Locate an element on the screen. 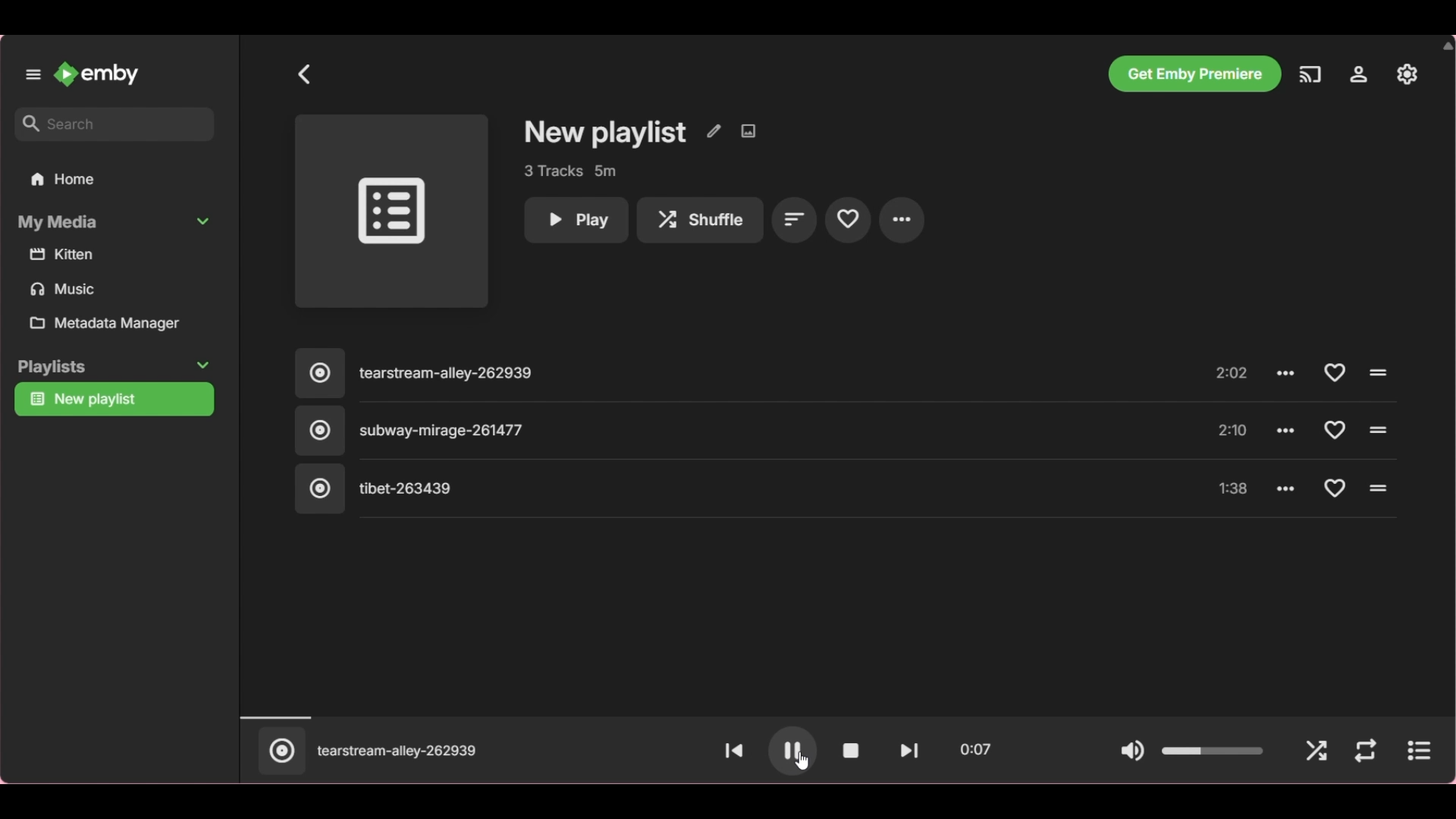 This screenshot has height=819, width=1456. Sort by playlist order is located at coordinates (795, 219).